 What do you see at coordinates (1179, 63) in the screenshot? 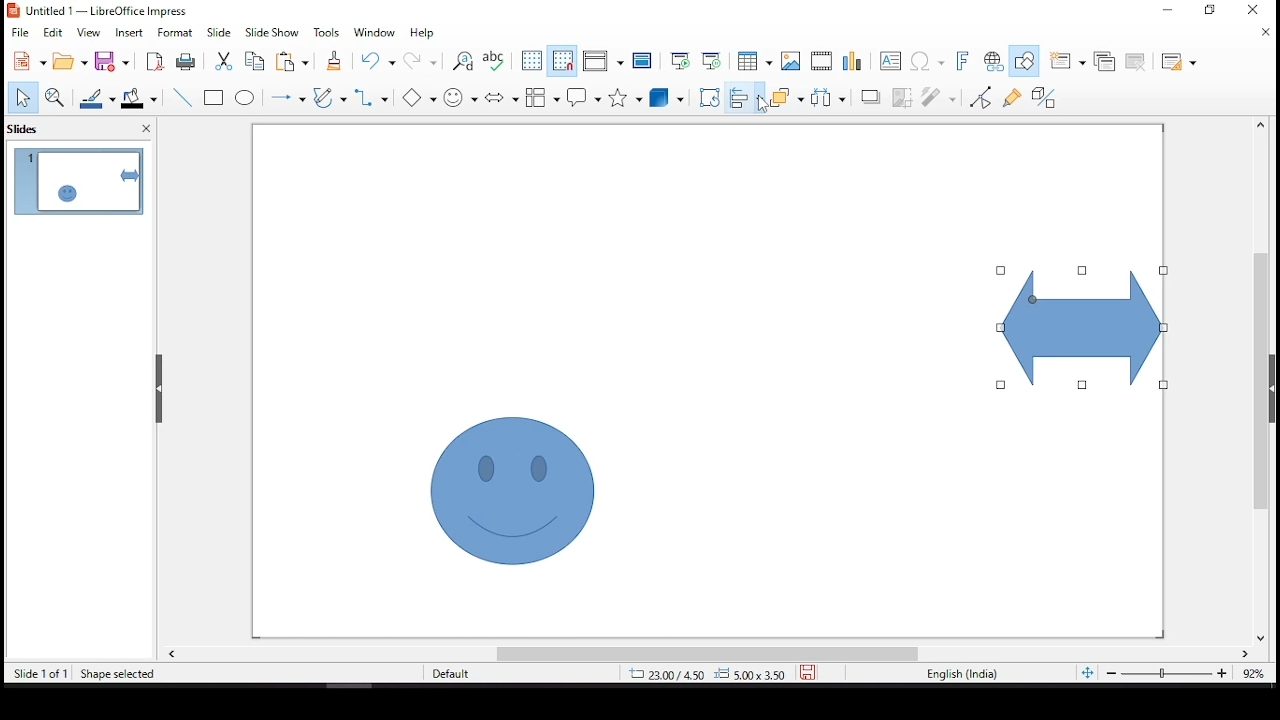
I see `slide layout` at bounding box center [1179, 63].